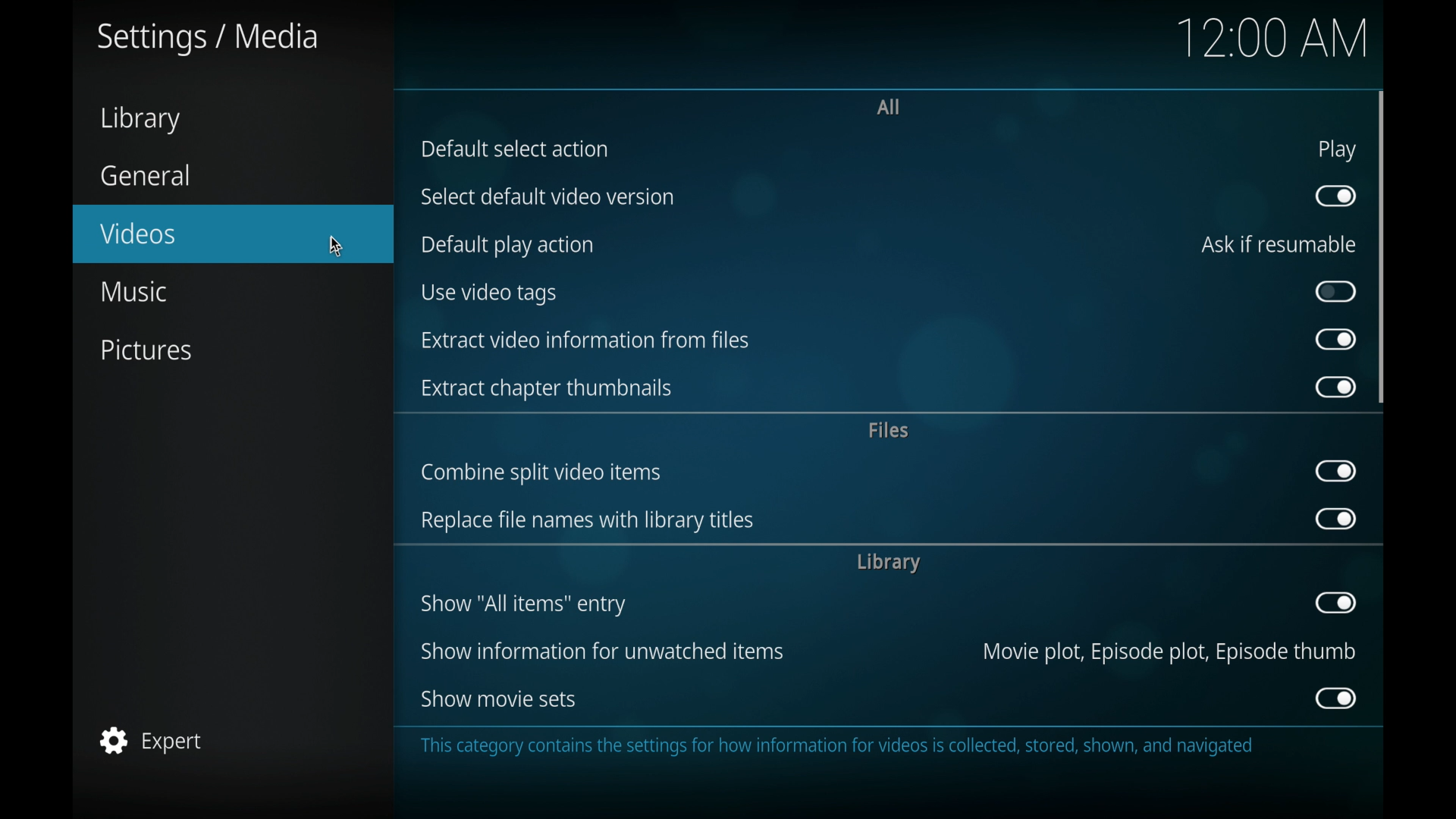 The width and height of the screenshot is (1456, 819). What do you see at coordinates (524, 605) in the screenshot?
I see `show all items entry` at bounding box center [524, 605].